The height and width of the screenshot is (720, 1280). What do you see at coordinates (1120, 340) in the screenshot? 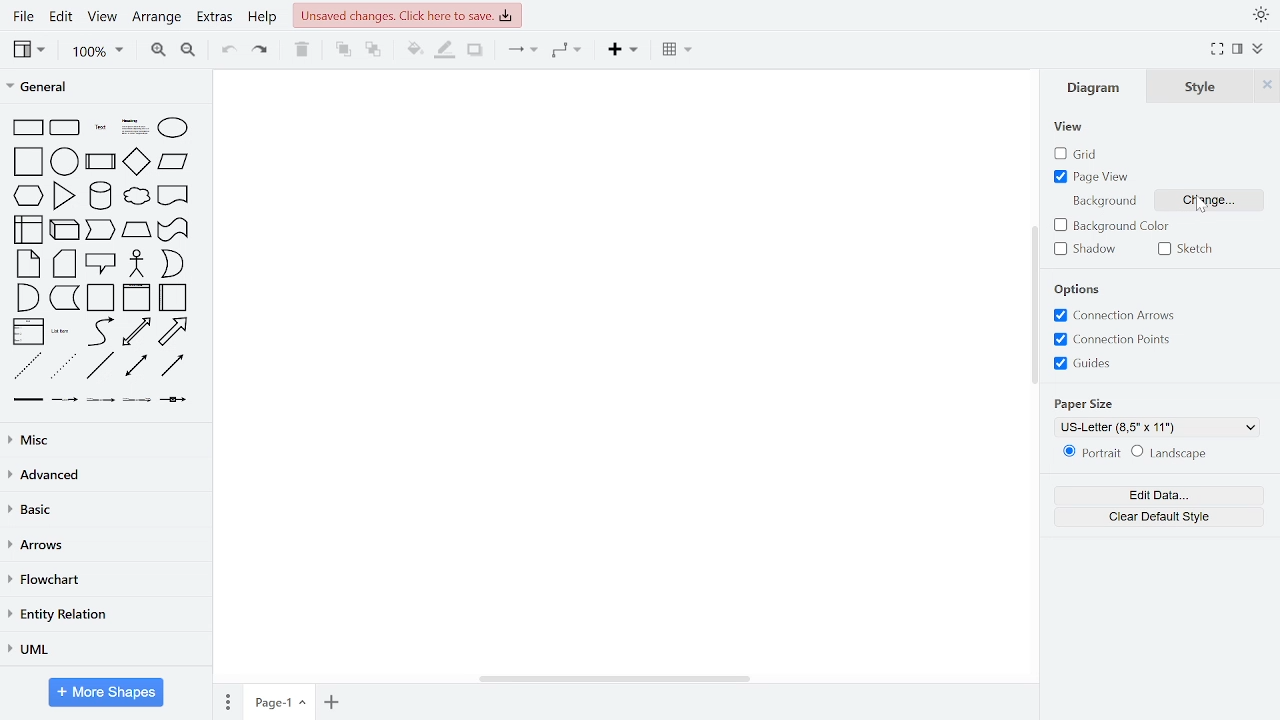
I see `connection points` at bounding box center [1120, 340].